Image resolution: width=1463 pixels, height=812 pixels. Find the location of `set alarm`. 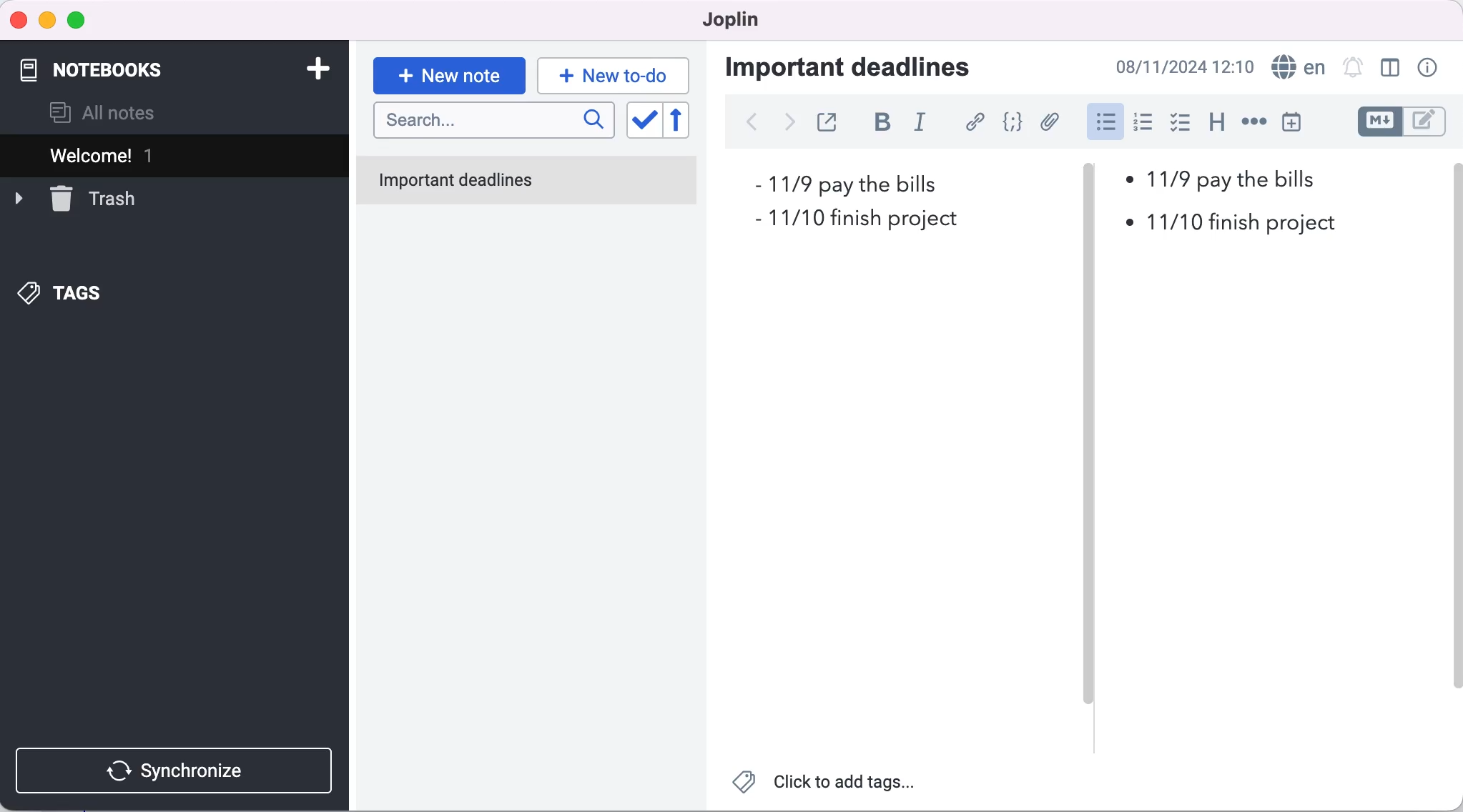

set alarm is located at coordinates (1349, 69).